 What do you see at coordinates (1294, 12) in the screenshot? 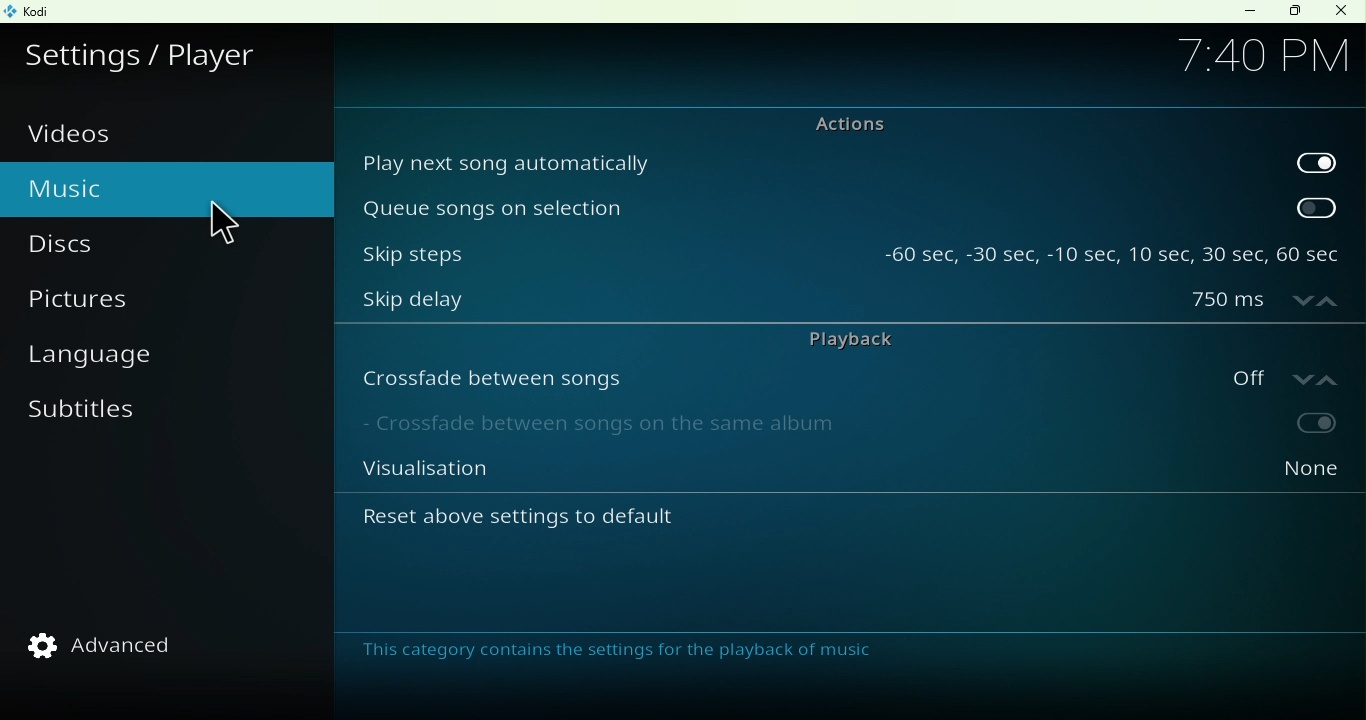
I see `Maximize` at bounding box center [1294, 12].